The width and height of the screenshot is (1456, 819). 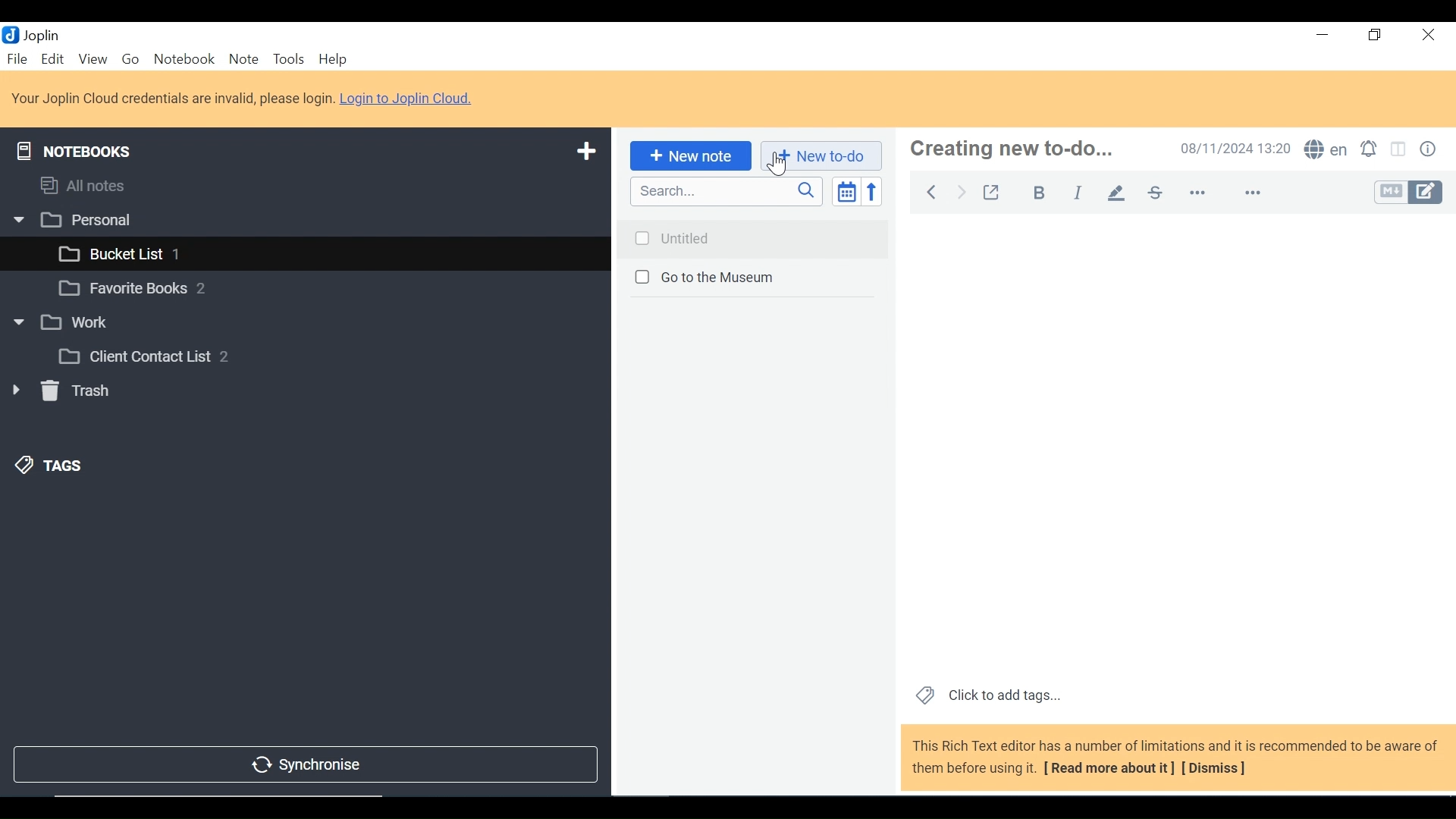 What do you see at coordinates (845, 191) in the screenshot?
I see `Toggle sort editor list` at bounding box center [845, 191].